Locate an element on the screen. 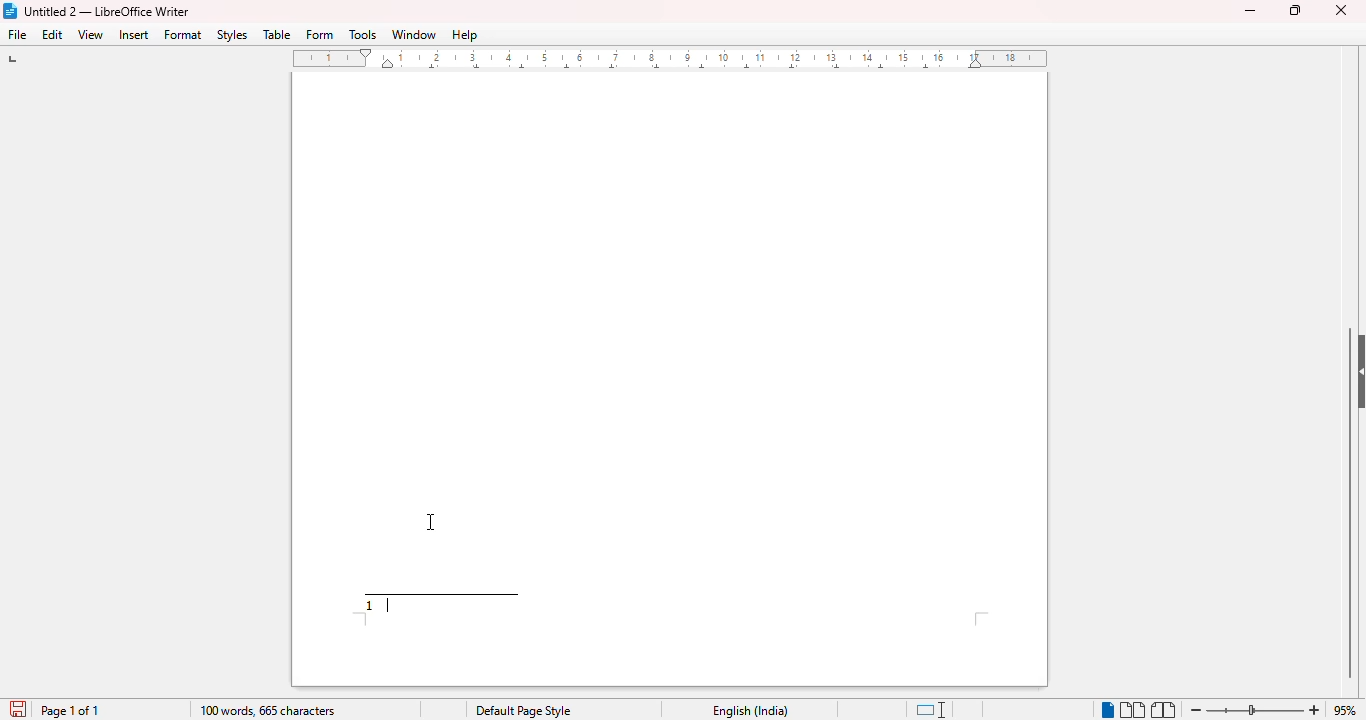 The image size is (1366, 720). table is located at coordinates (277, 34).